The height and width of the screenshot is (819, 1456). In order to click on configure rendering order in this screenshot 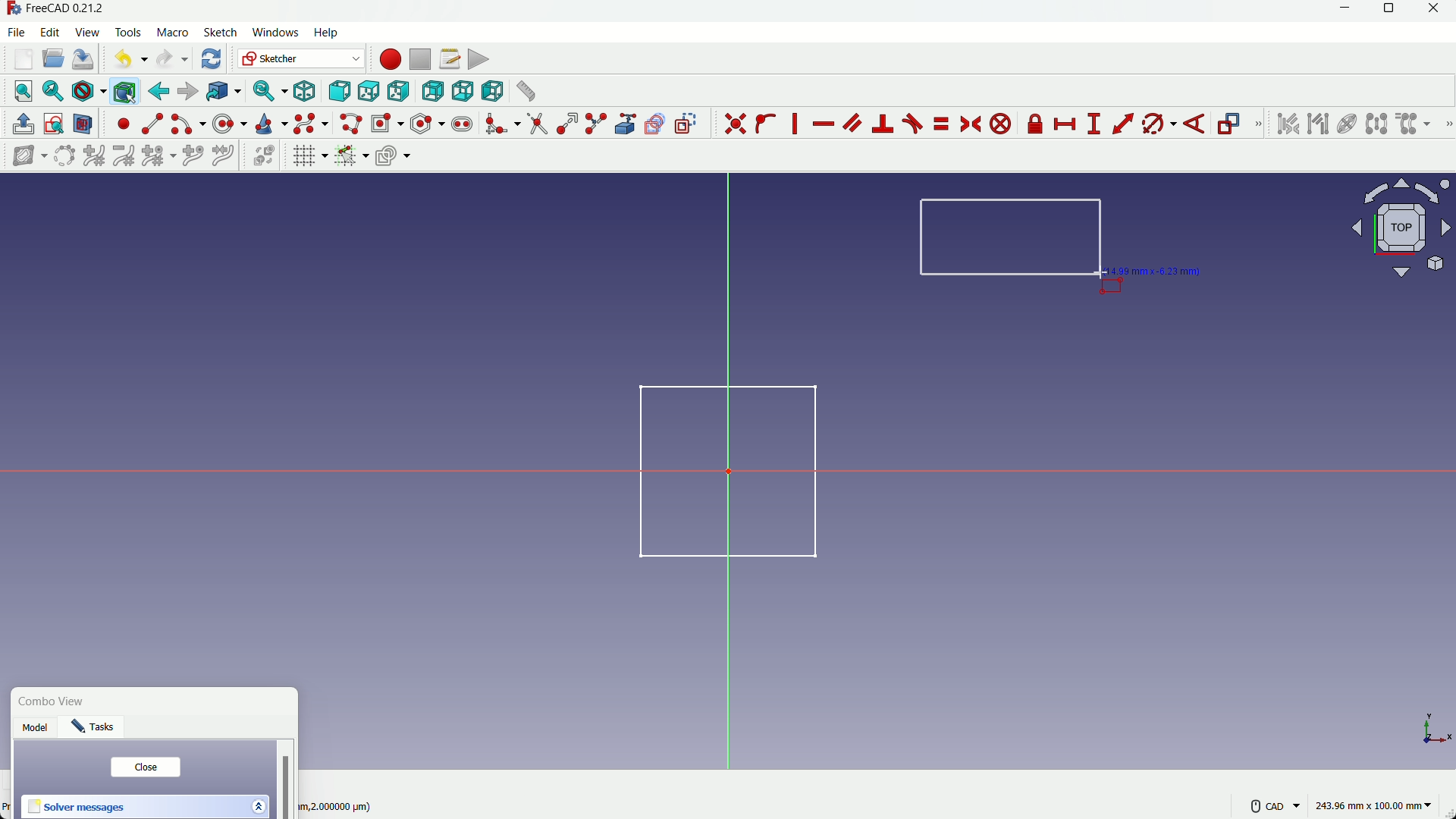, I will do `click(395, 155)`.